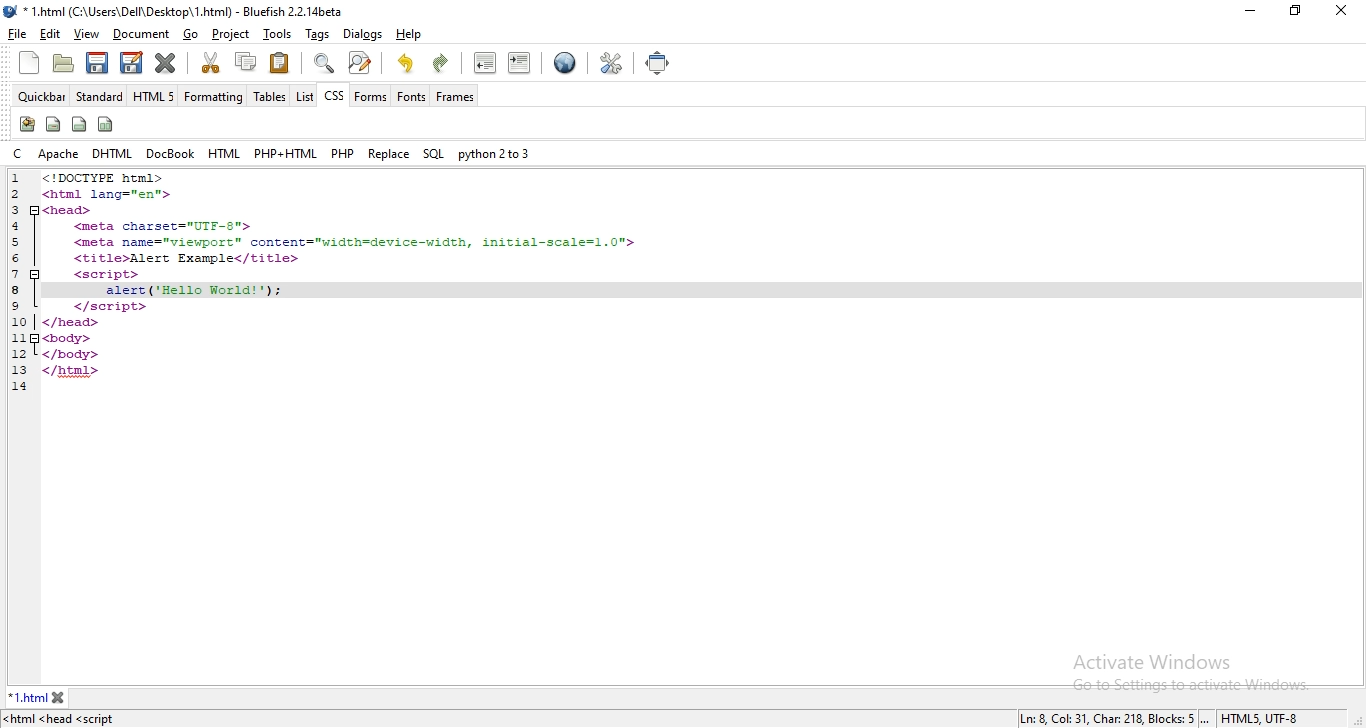 The image size is (1366, 728). What do you see at coordinates (20, 179) in the screenshot?
I see `1` at bounding box center [20, 179].